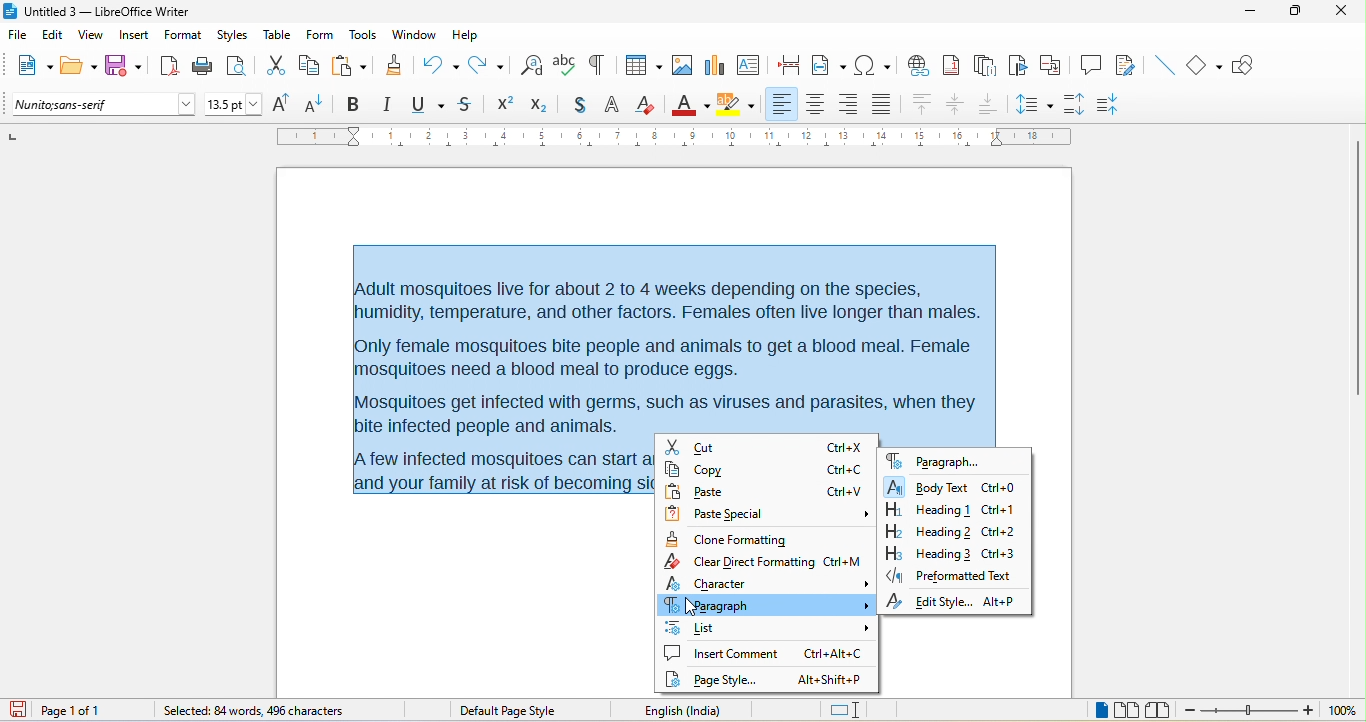 The height and width of the screenshot is (722, 1366). What do you see at coordinates (768, 582) in the screenshot?
I see `character` at bounding box center [768, 582].